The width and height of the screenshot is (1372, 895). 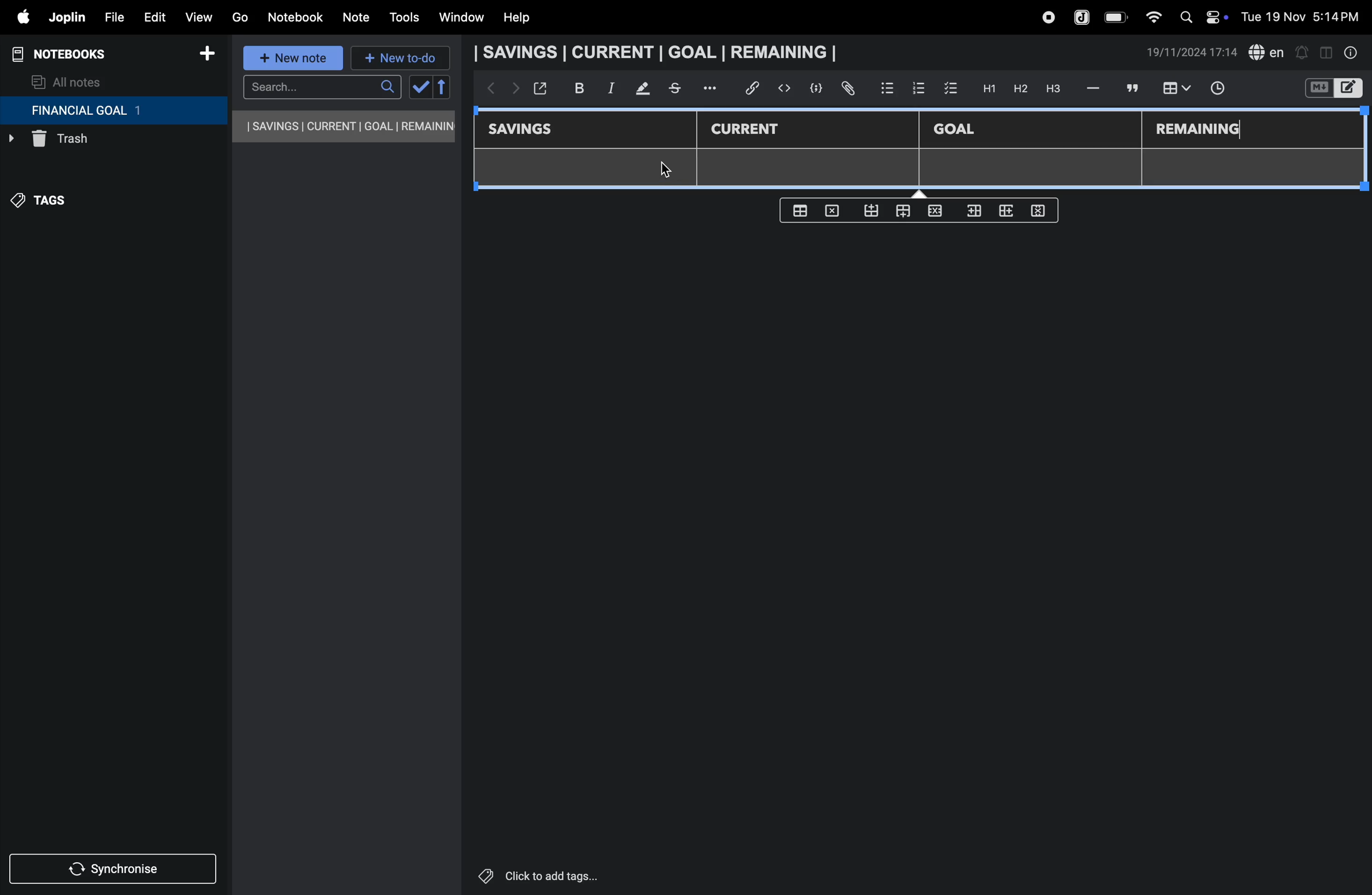 I want to click on code block, so click(x=812, y=88).